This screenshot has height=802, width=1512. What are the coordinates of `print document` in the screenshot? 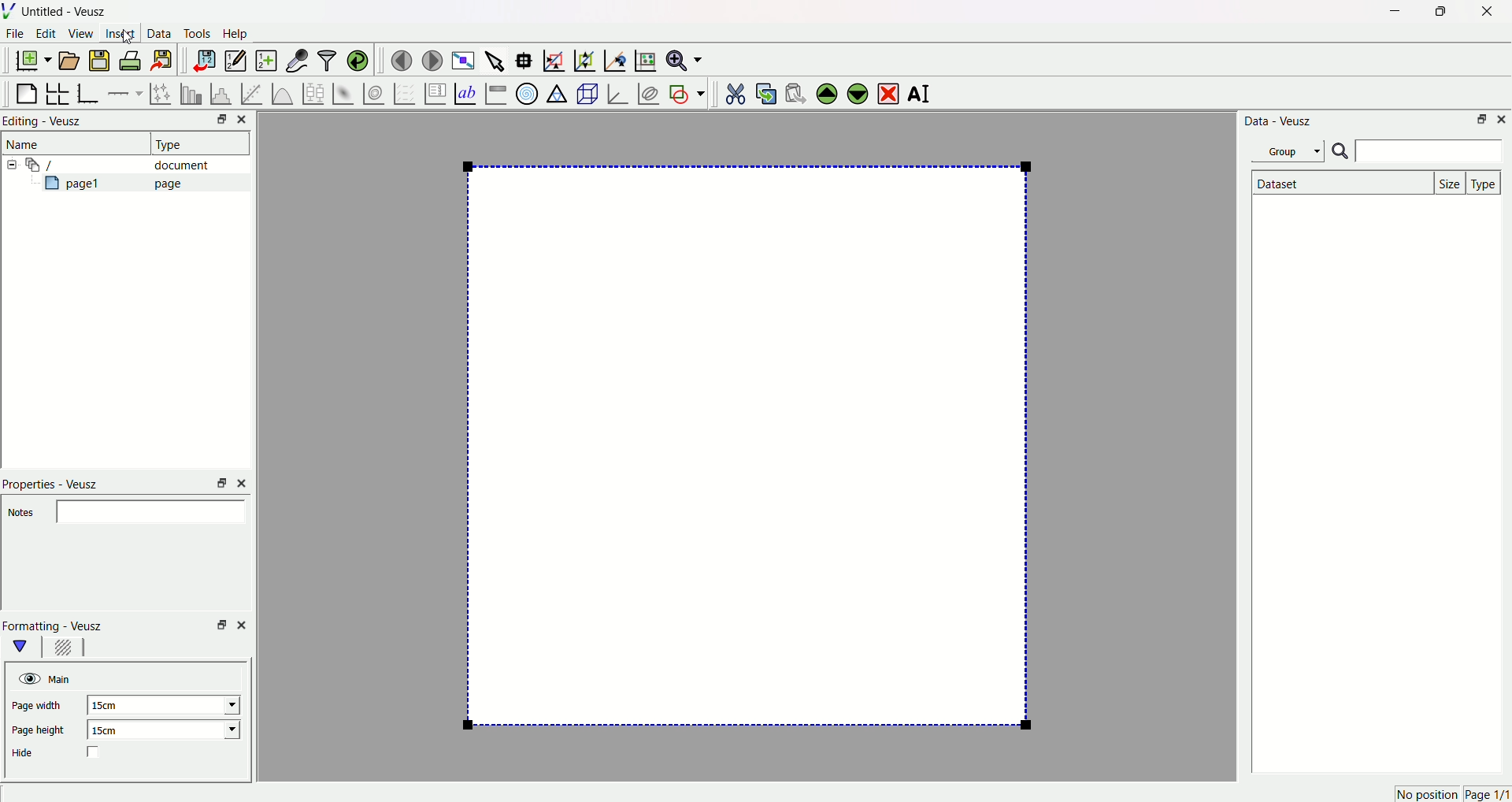 It's located at (132, 62).